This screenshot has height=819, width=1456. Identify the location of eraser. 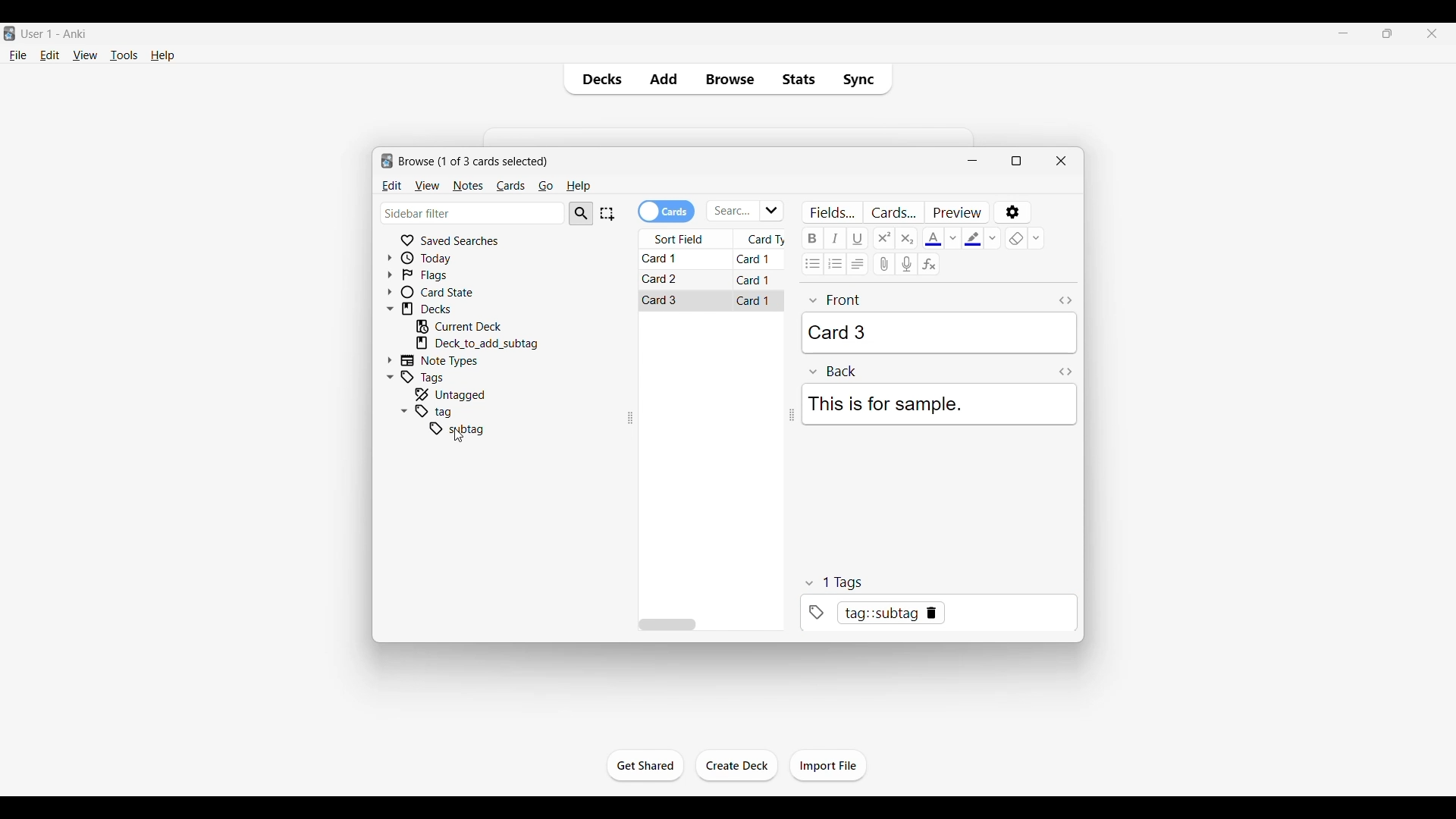
(1016, 238).